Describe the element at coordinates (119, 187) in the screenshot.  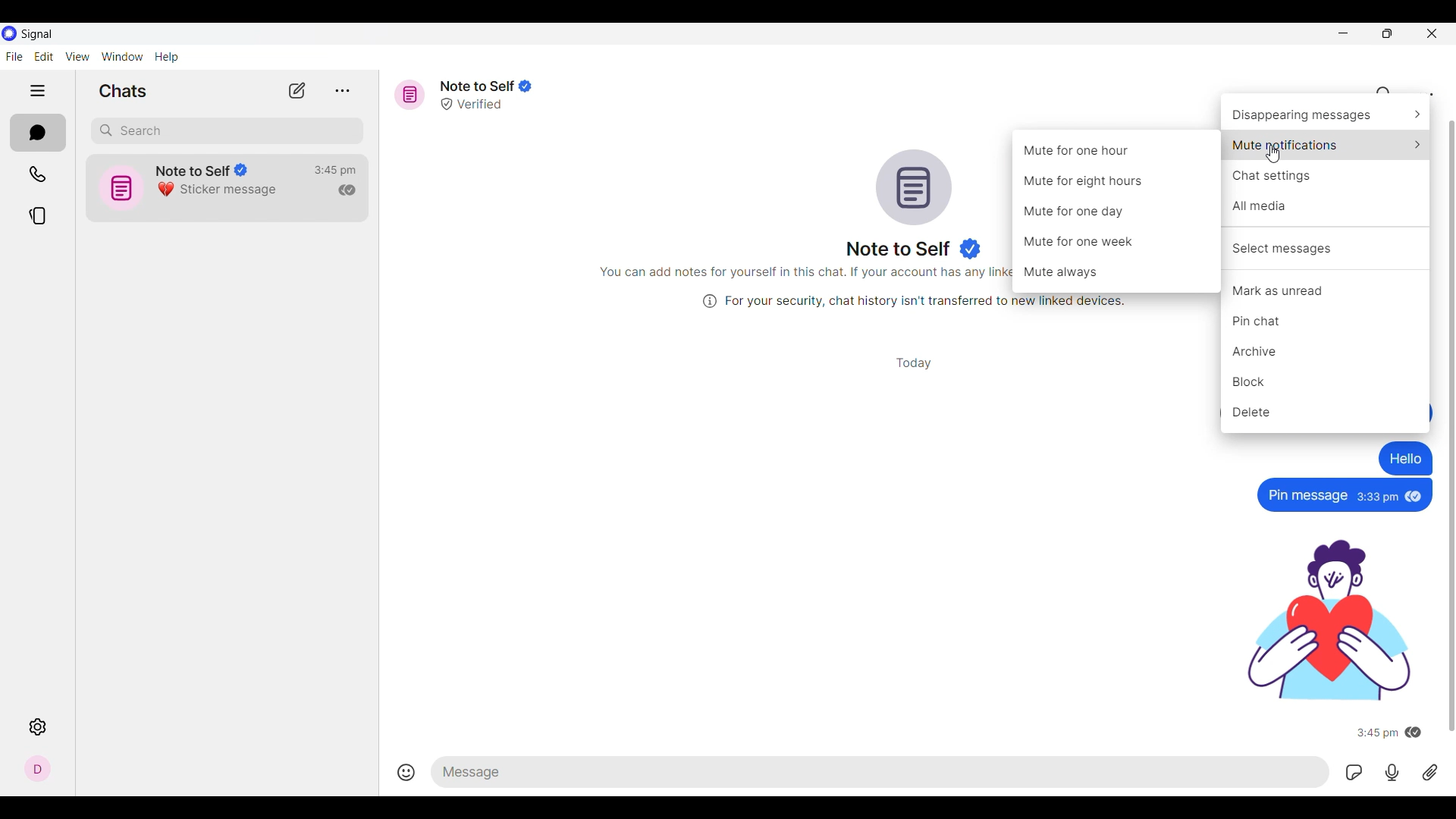
I see `icon` at that location.